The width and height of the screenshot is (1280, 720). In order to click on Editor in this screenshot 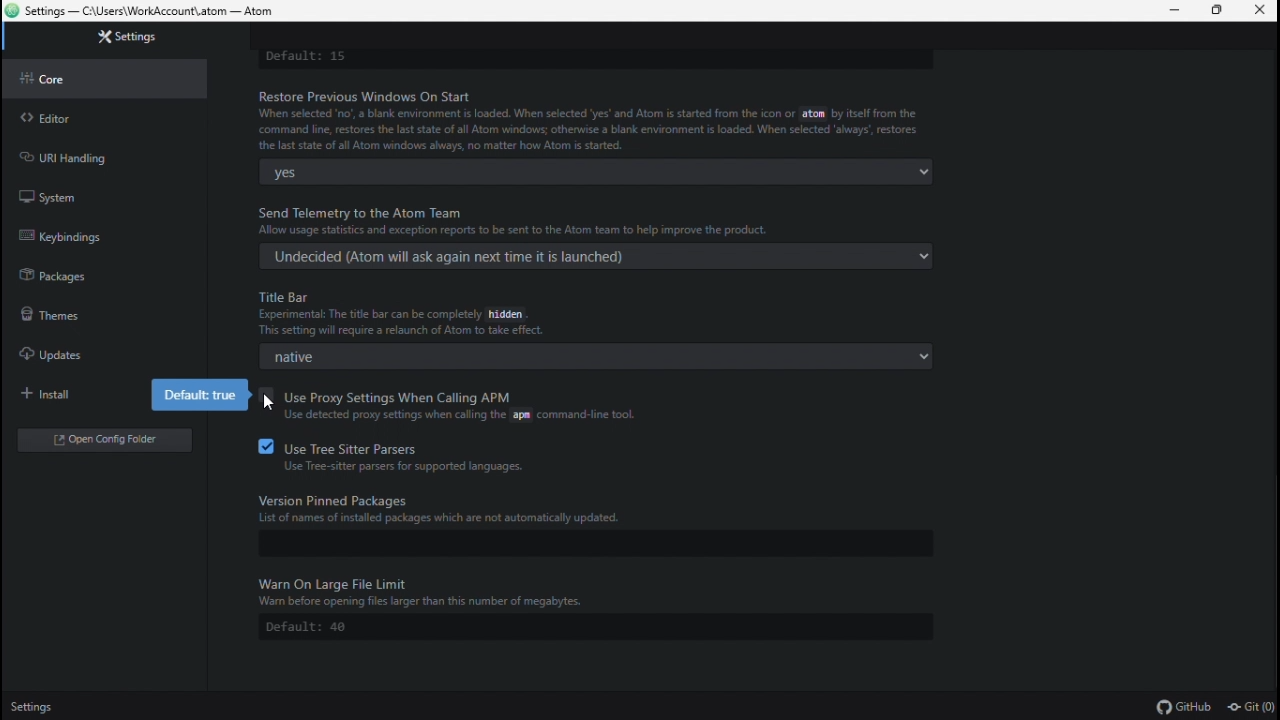, I will do `click(95, 115)`.